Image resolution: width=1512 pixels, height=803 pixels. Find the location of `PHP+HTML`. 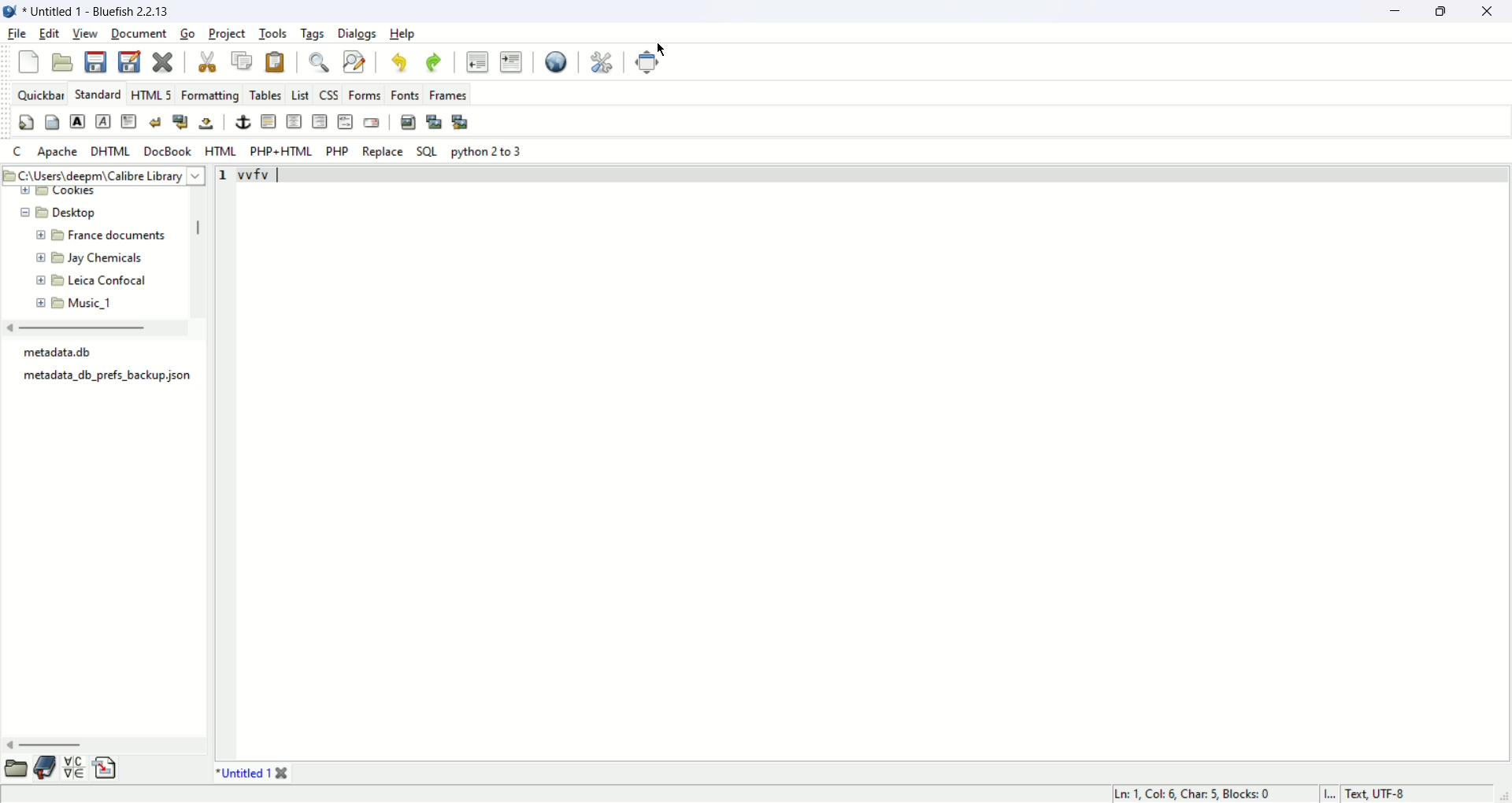

PHP+HTML is located at coordinates (282, 152).